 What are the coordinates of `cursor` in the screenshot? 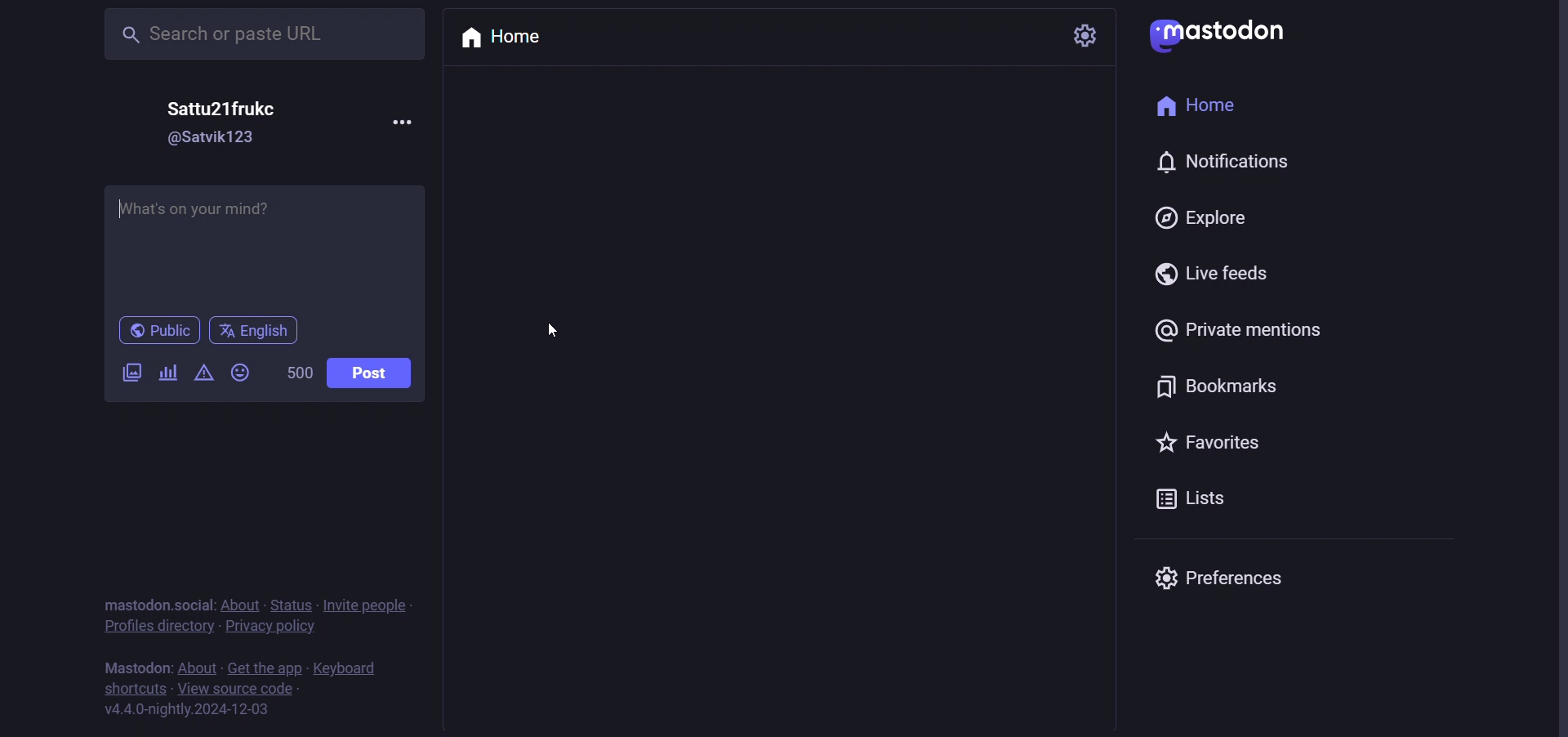 It's located at (552, 329).